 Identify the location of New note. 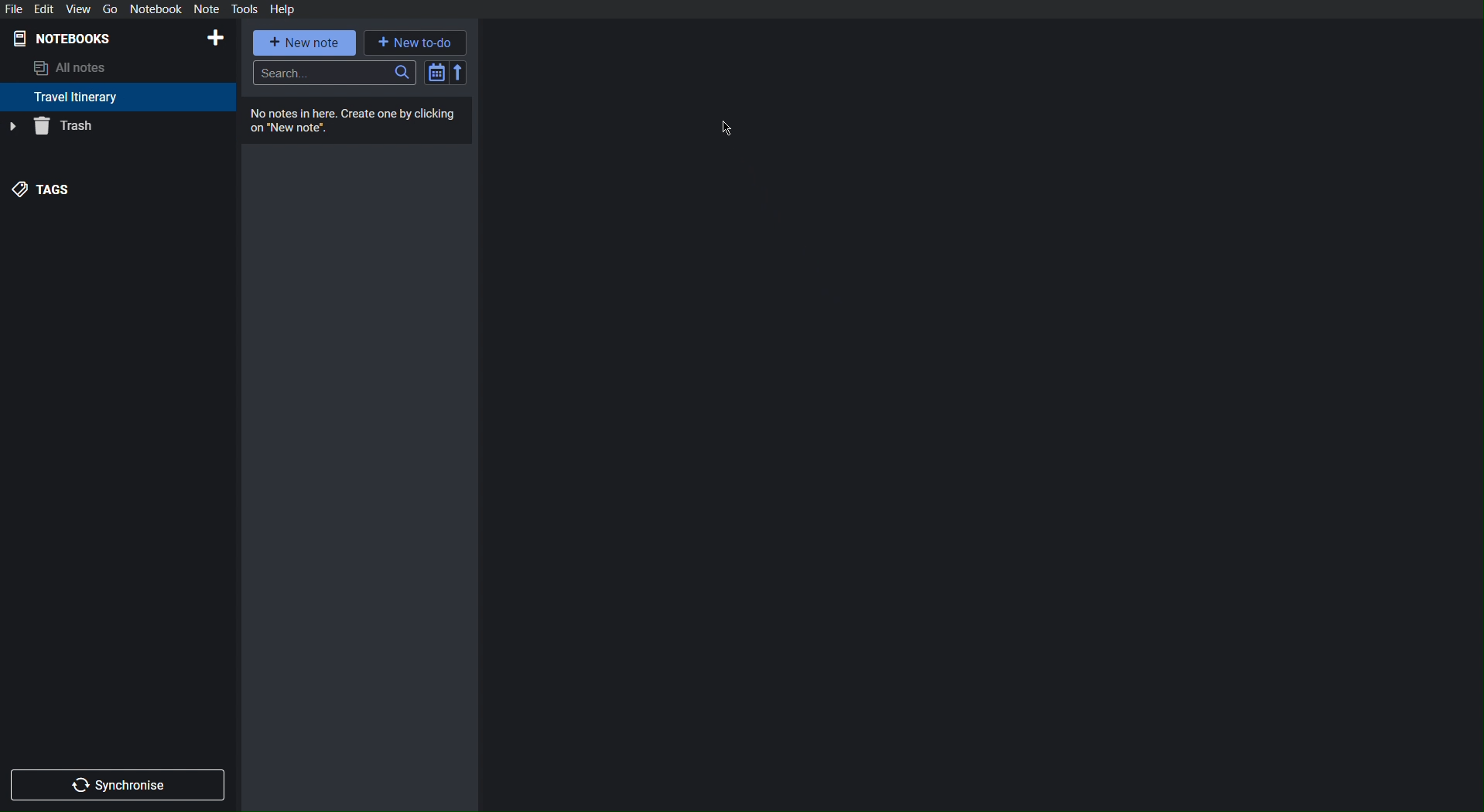
(306, 43).